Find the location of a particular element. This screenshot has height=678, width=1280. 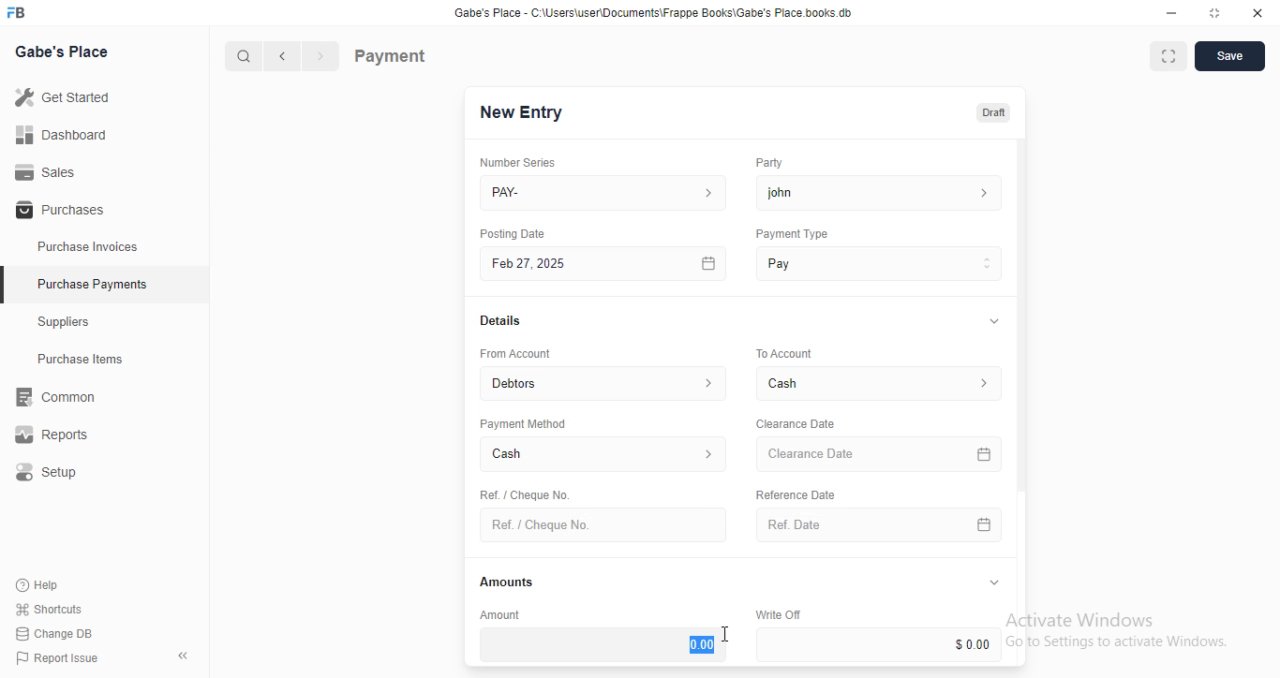

Suppliers is located at coordinates (70, 324).